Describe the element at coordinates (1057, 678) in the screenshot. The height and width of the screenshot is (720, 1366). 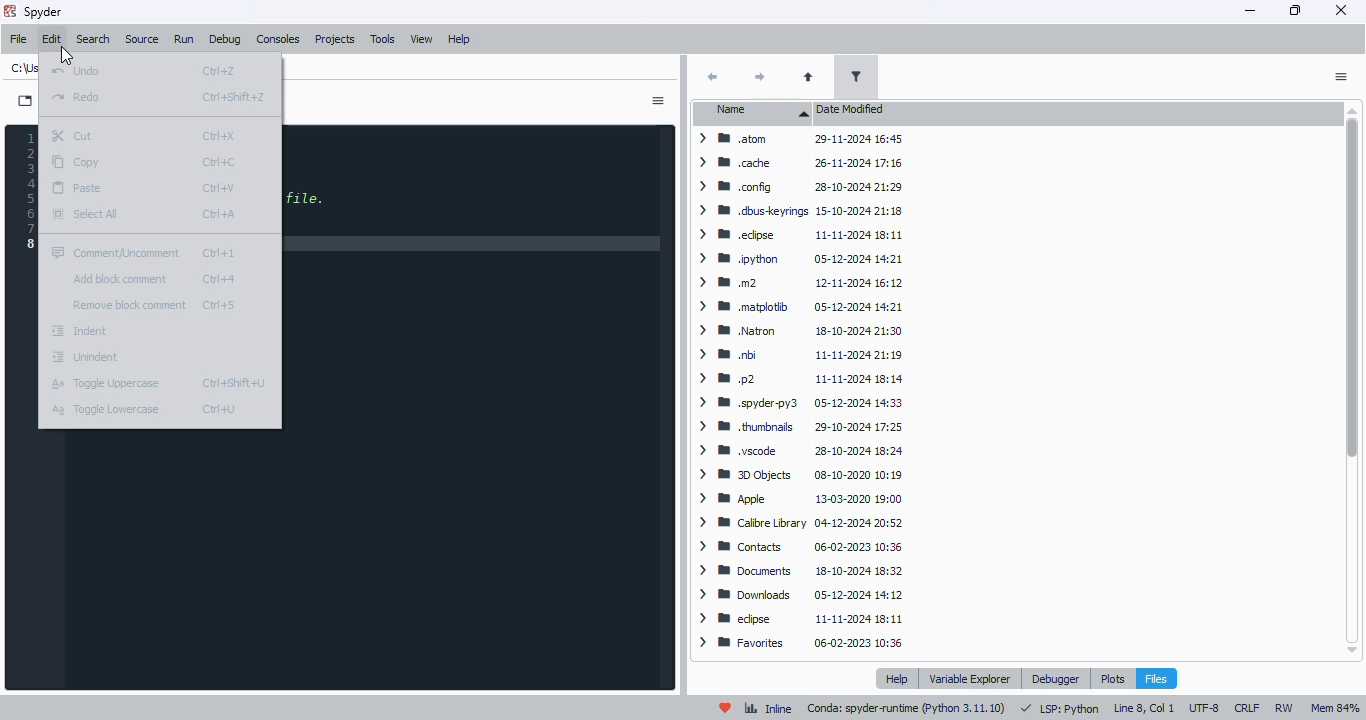
I see `debugger` at that location.